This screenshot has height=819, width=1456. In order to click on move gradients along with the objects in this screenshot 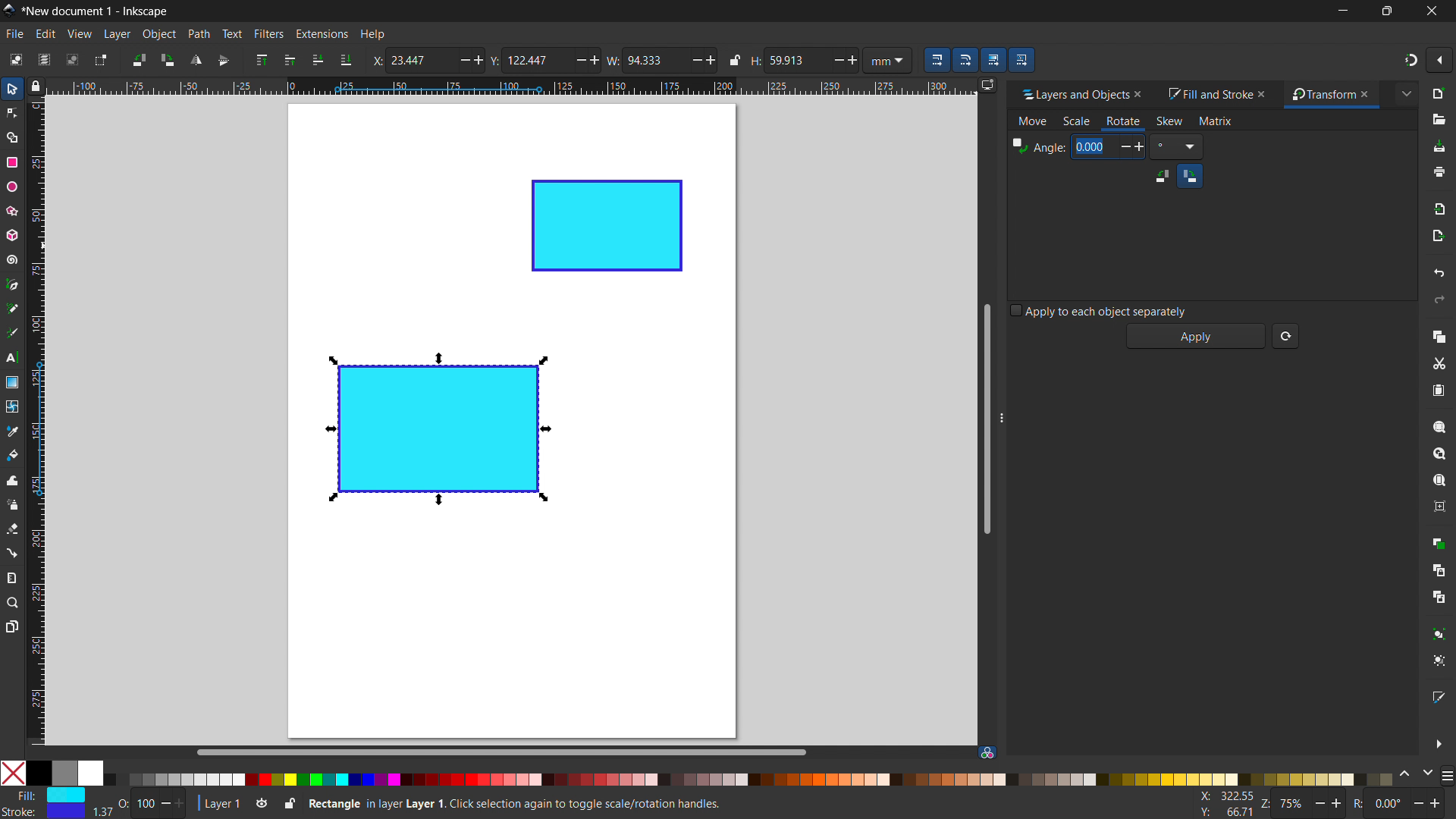, I will do `click(993, 60)`.